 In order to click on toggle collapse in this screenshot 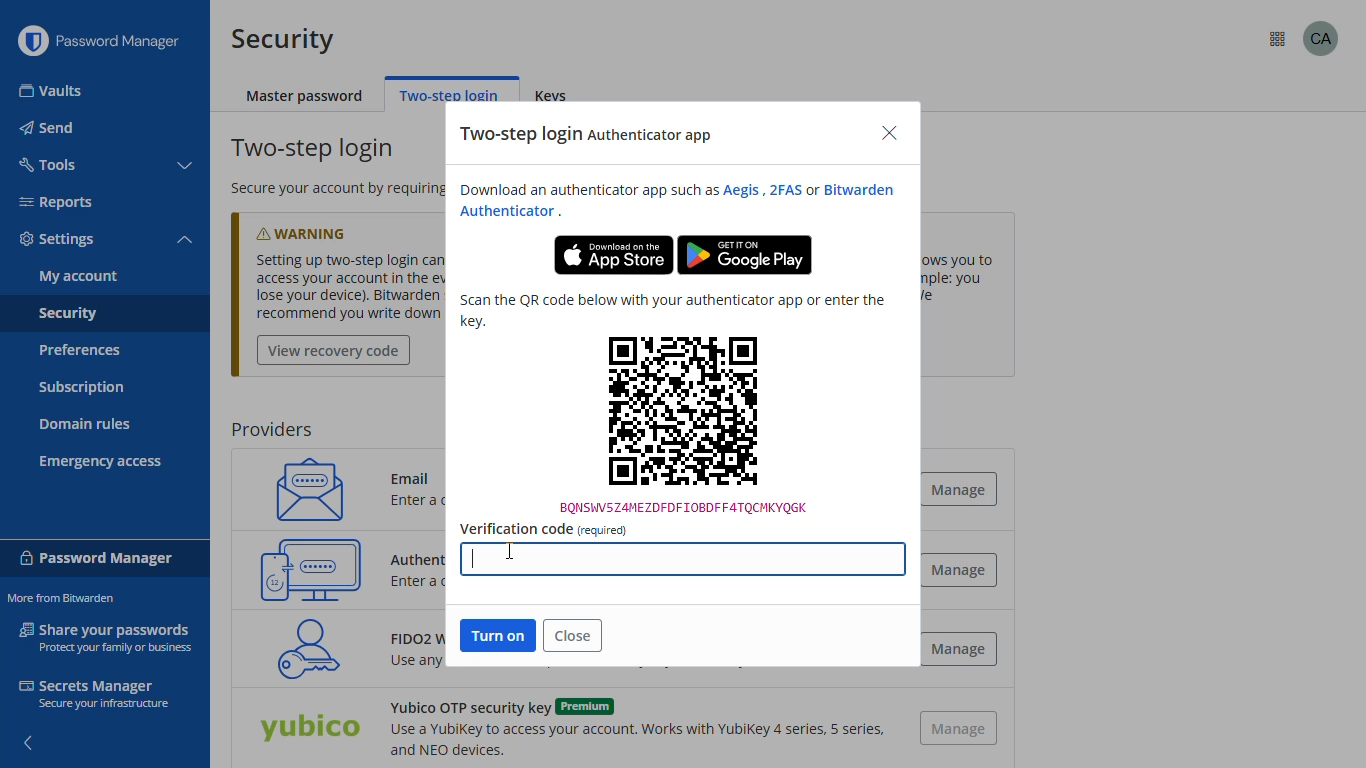, I will do `click(187, 166)`.